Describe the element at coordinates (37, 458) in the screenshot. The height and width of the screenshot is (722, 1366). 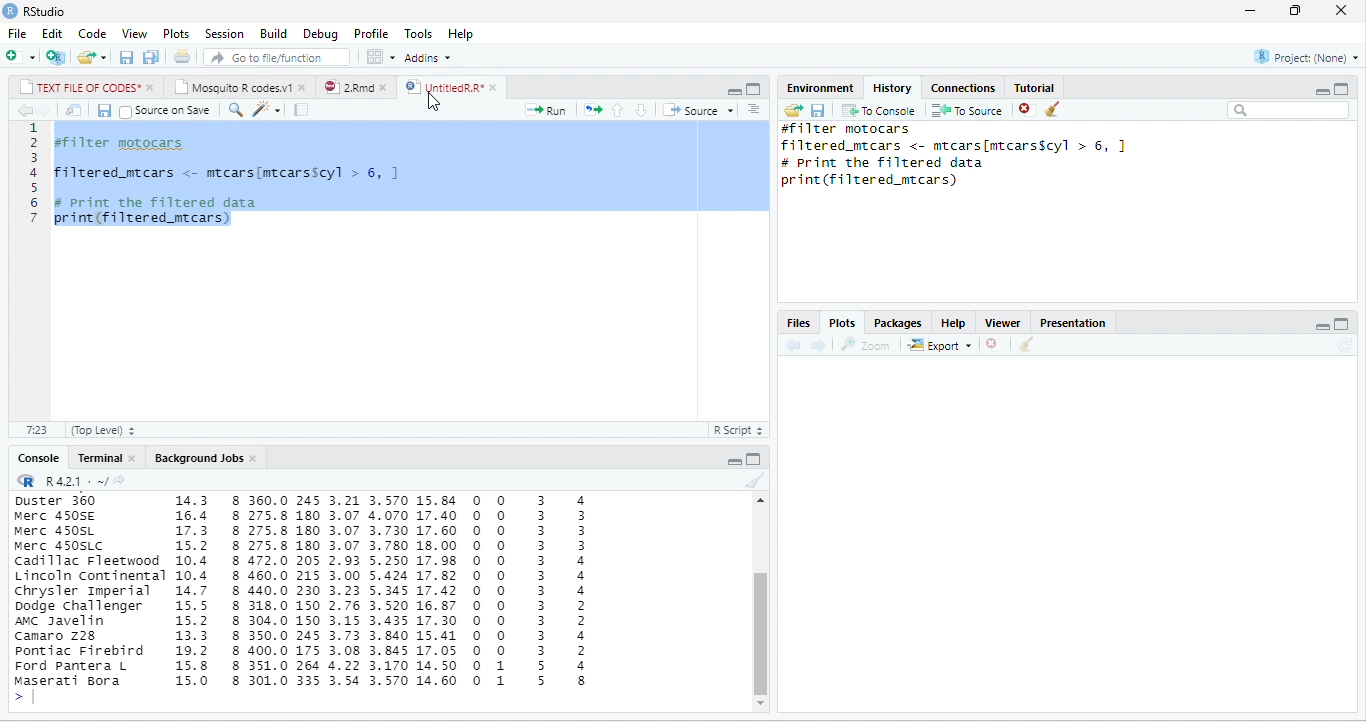
I see `Console` at that location.